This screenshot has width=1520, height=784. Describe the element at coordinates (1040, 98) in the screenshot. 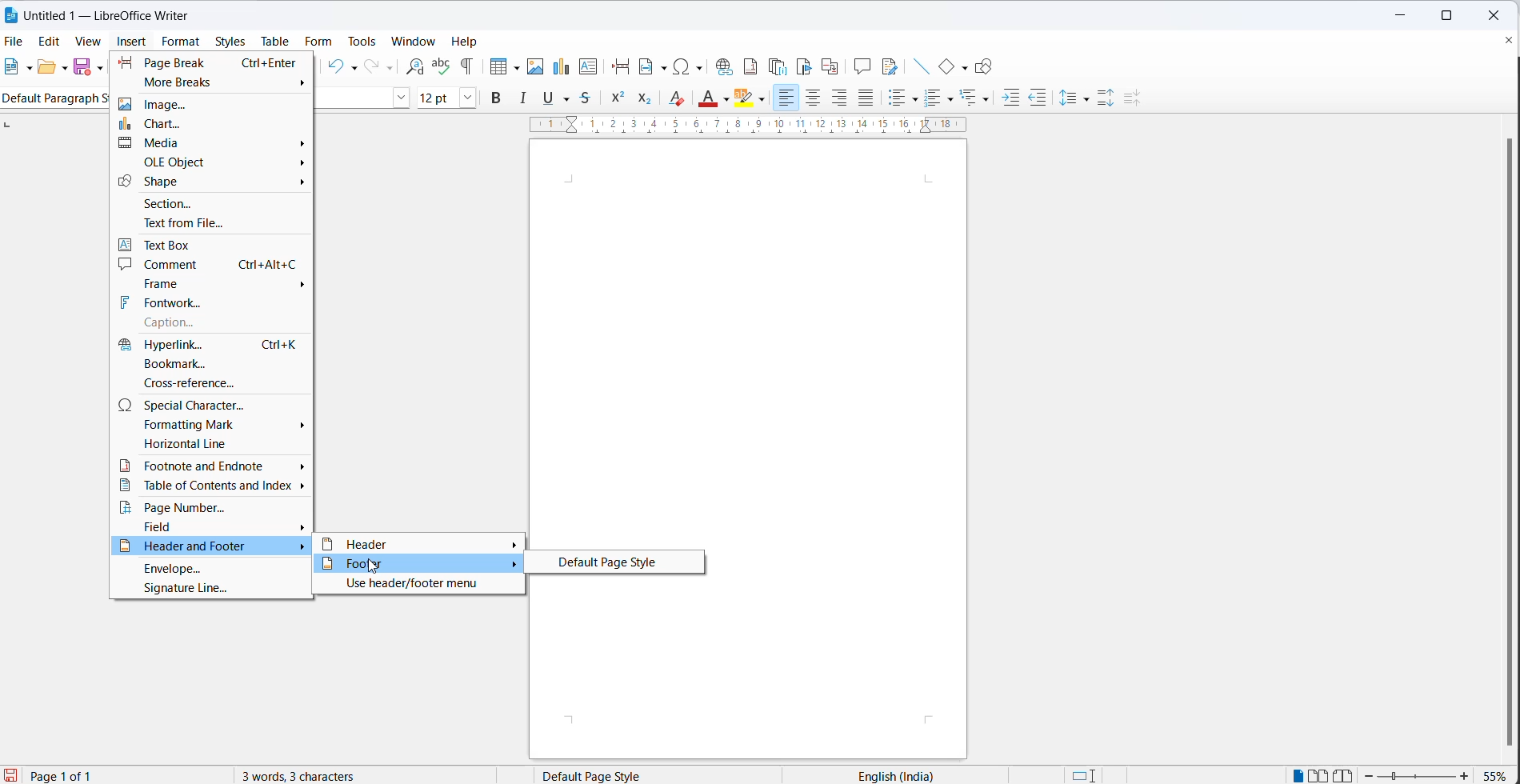

I see `decrease indent` at that location.